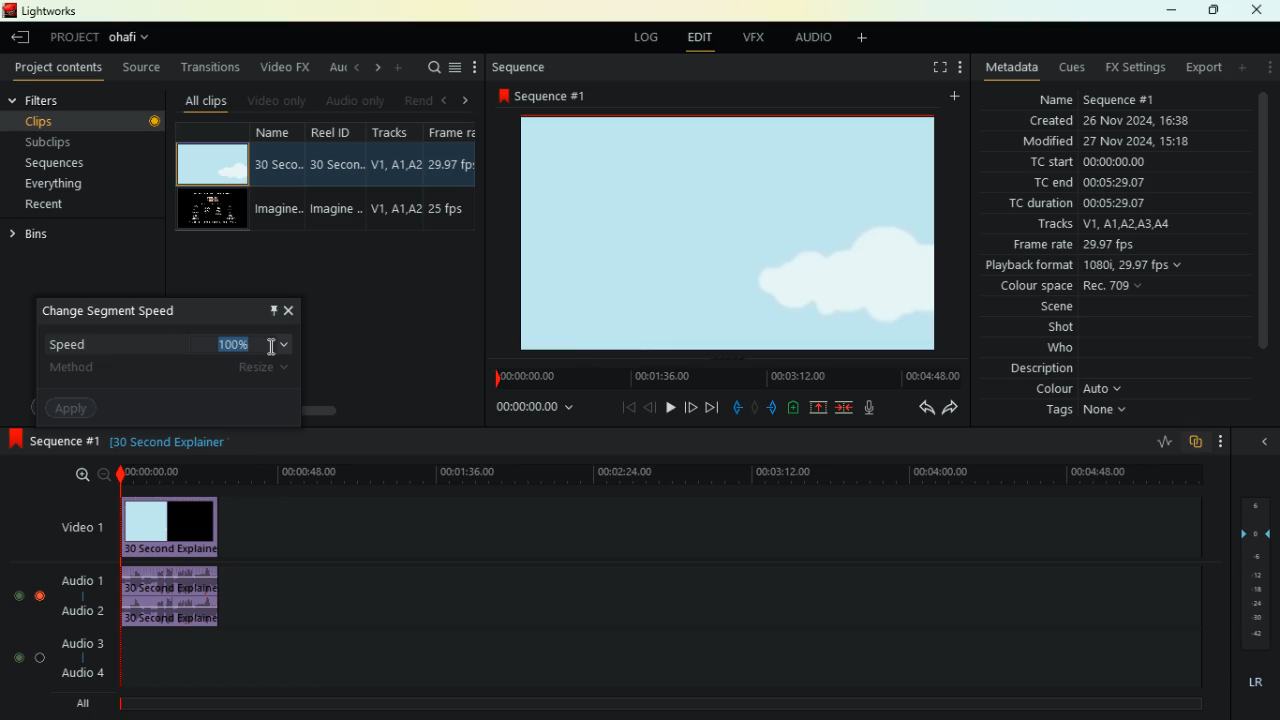 The width and height of the screenshot is (1280, 720). Describe the element at coordinates (78, 526) in the screenshot. I see `video1` at that location.